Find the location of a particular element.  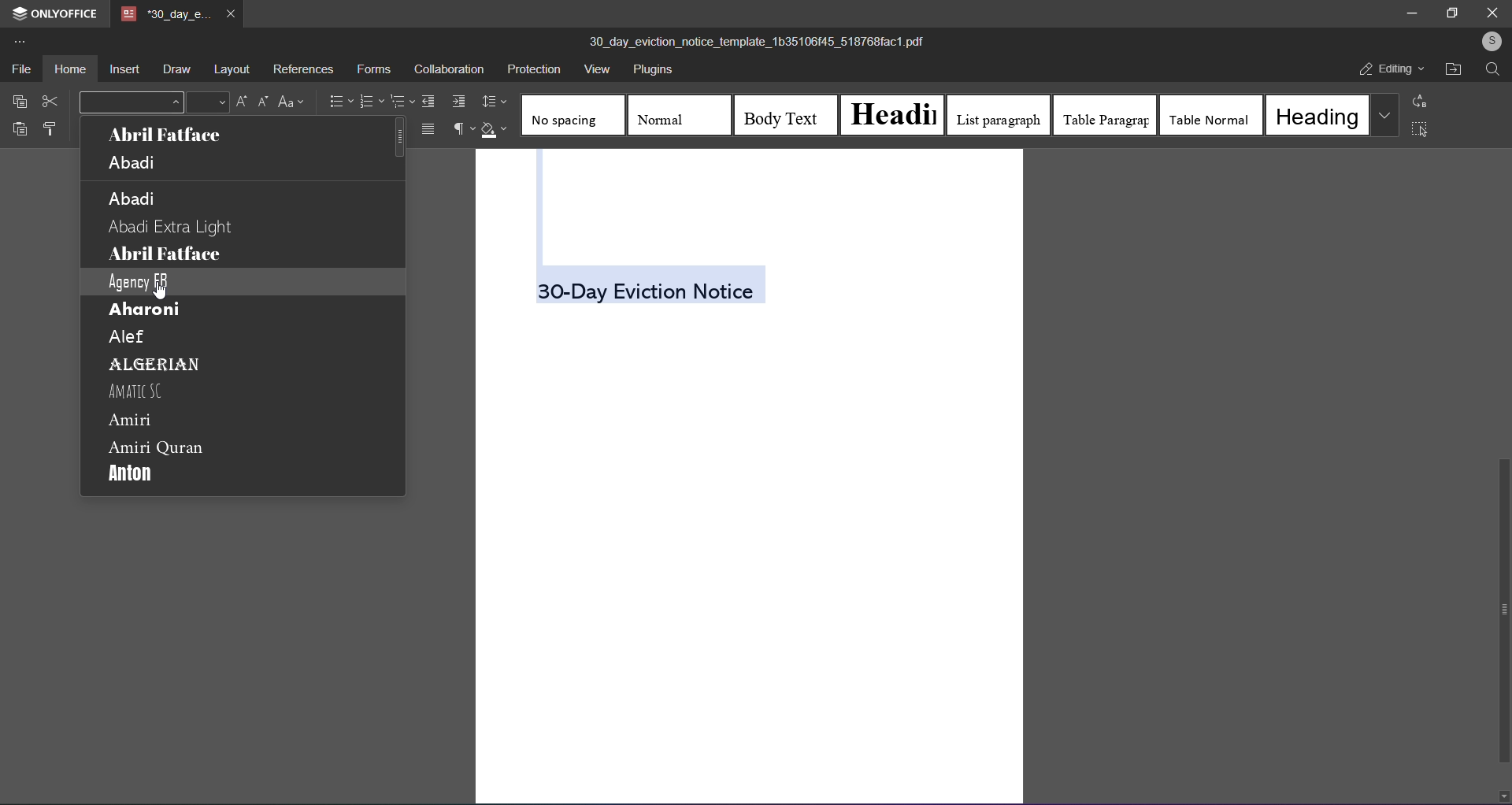

select all is located at coordinates (1420, 131).